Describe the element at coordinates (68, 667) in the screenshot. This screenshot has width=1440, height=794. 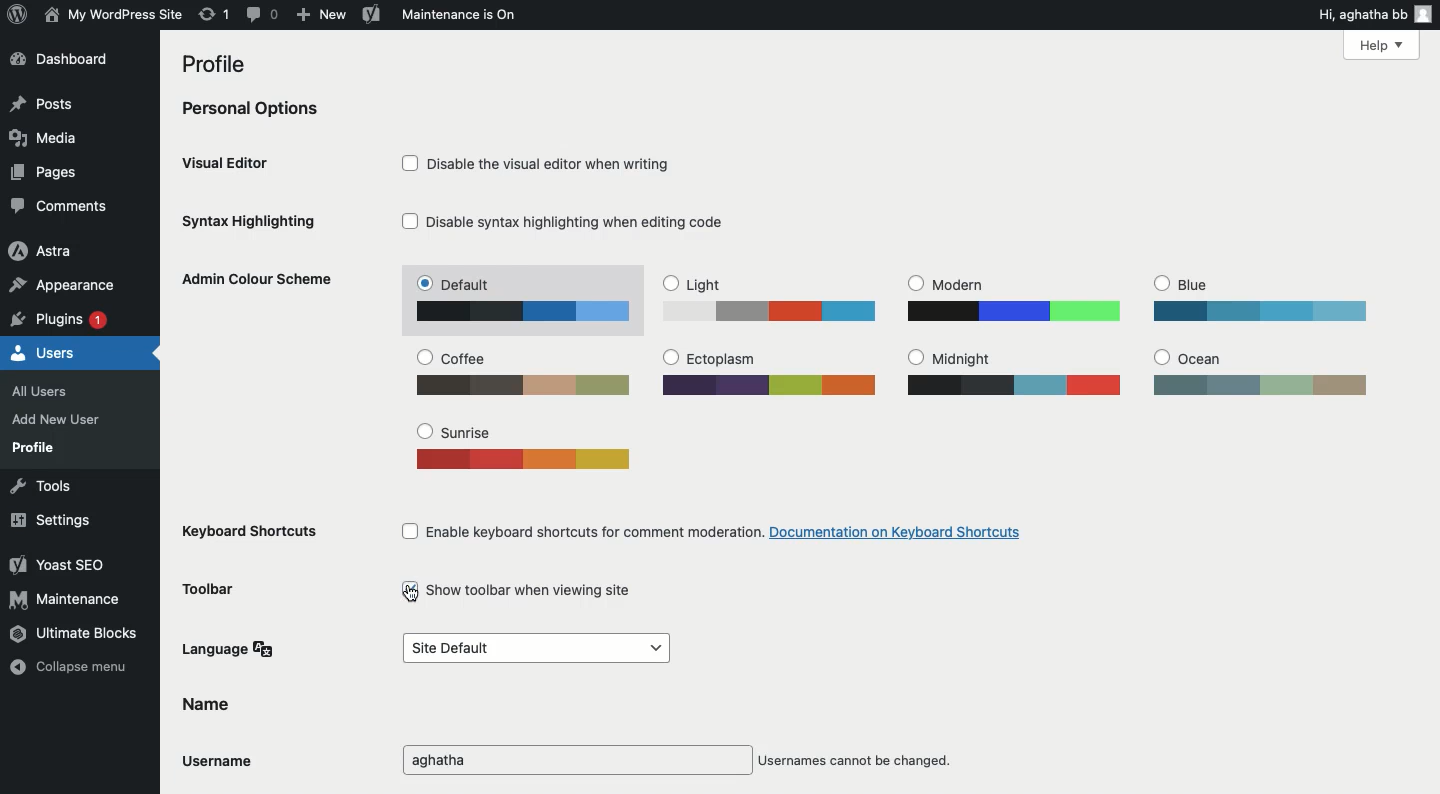
I see `Collapse menu` at that location.